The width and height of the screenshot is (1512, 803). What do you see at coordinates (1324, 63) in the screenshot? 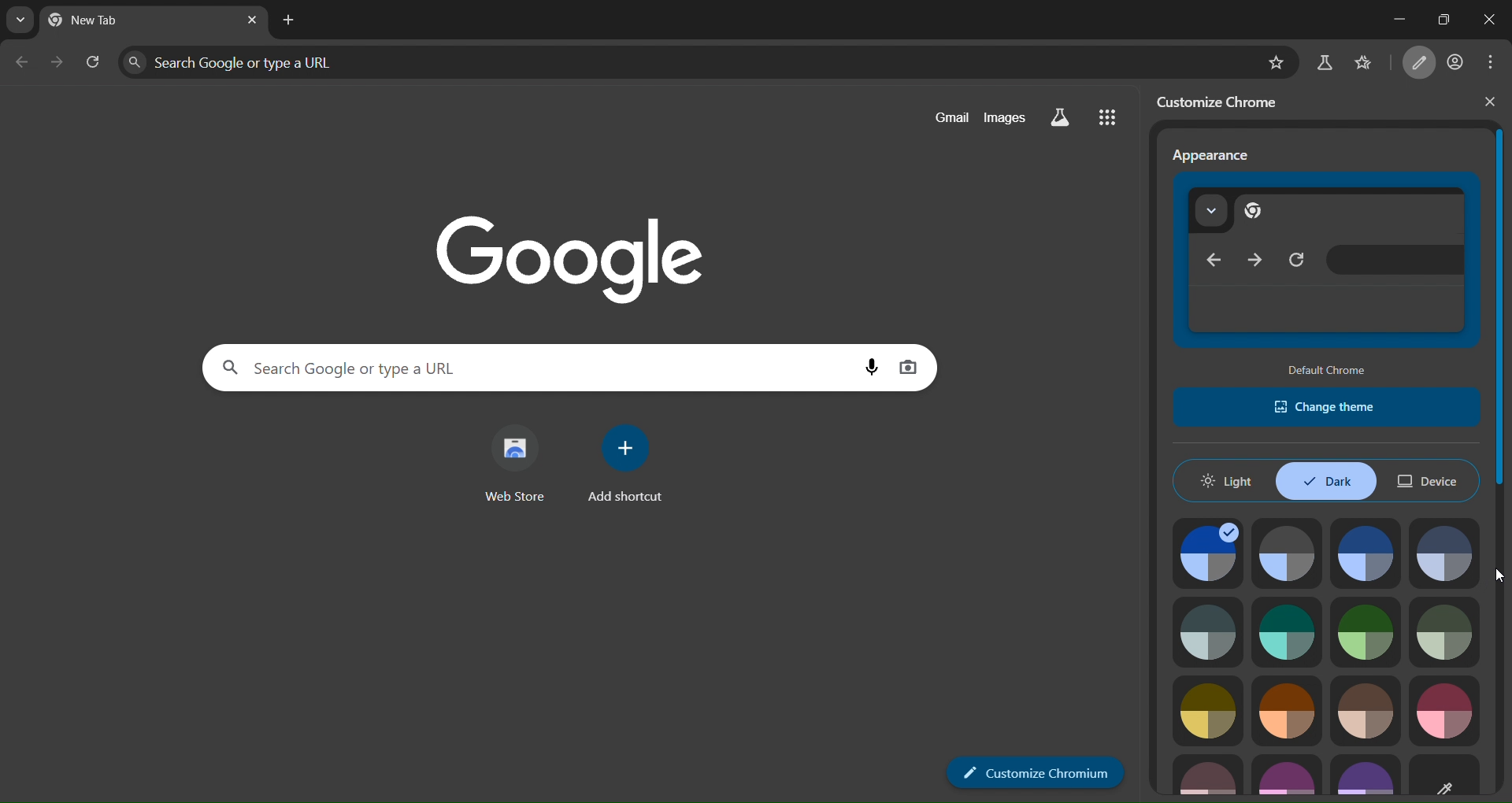
I see `search labs` at bounding box center [1324, 63].